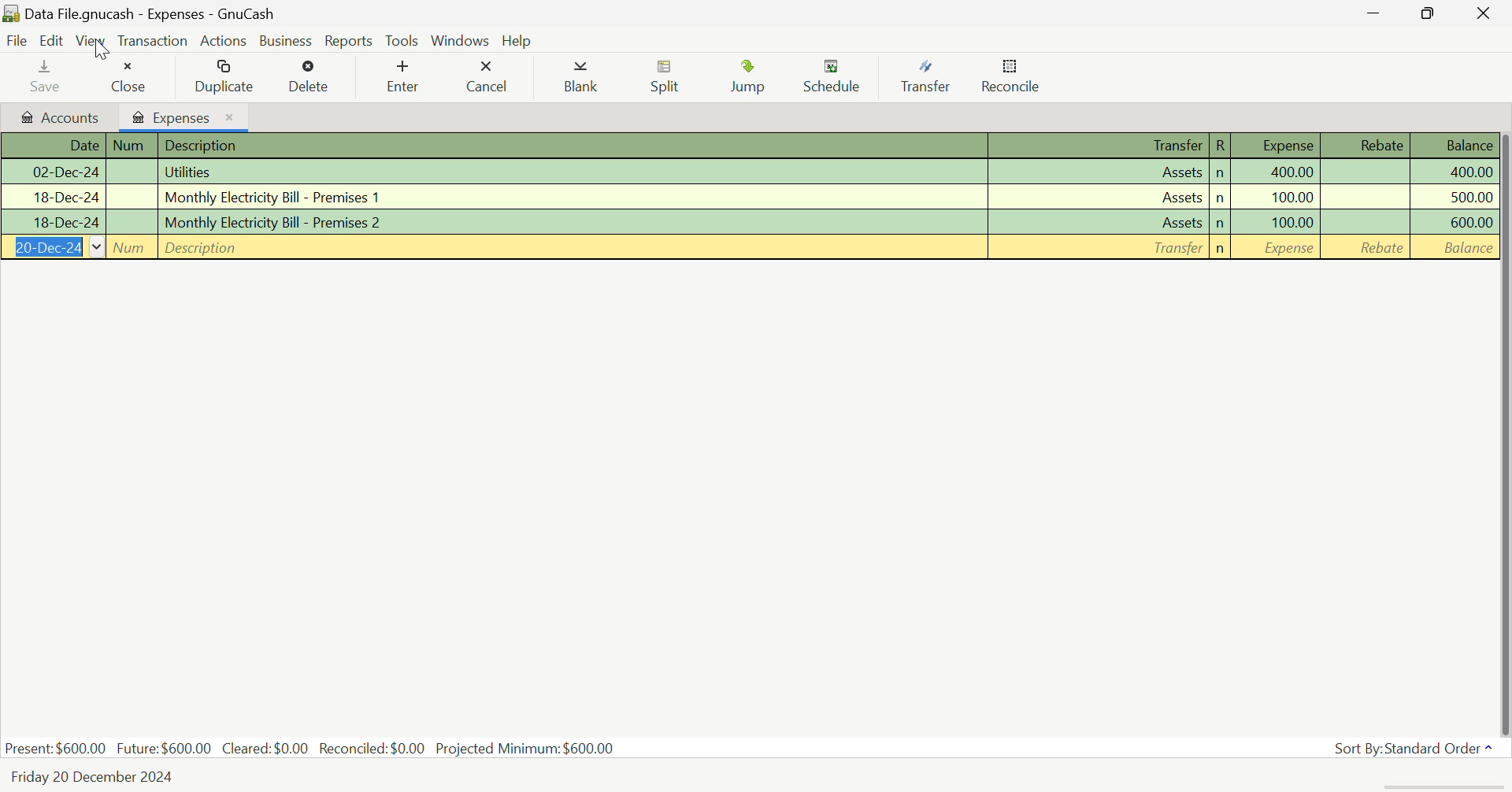  I want to click on Rebate, so click(1366, 146).